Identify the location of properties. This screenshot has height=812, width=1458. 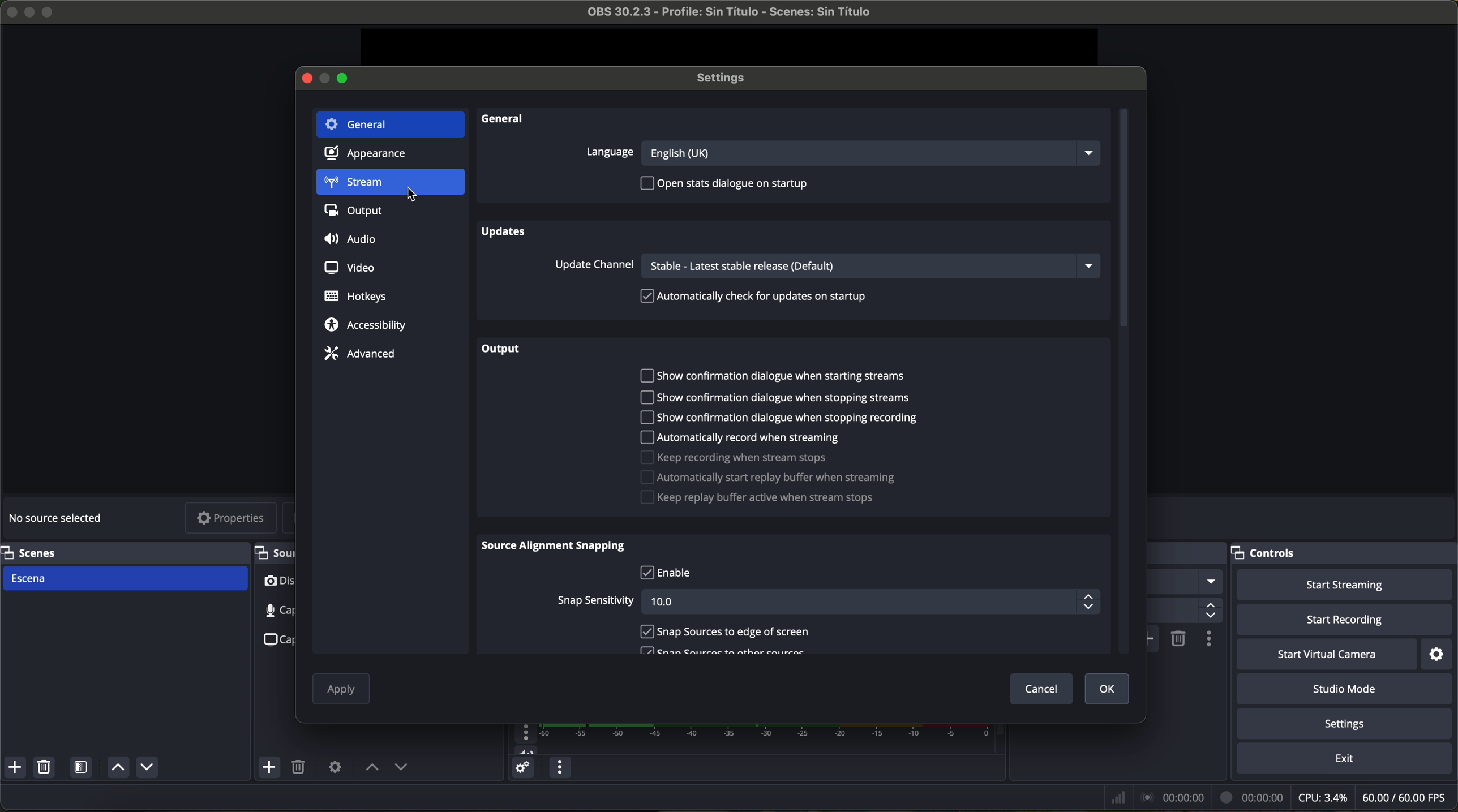
(231, 519).